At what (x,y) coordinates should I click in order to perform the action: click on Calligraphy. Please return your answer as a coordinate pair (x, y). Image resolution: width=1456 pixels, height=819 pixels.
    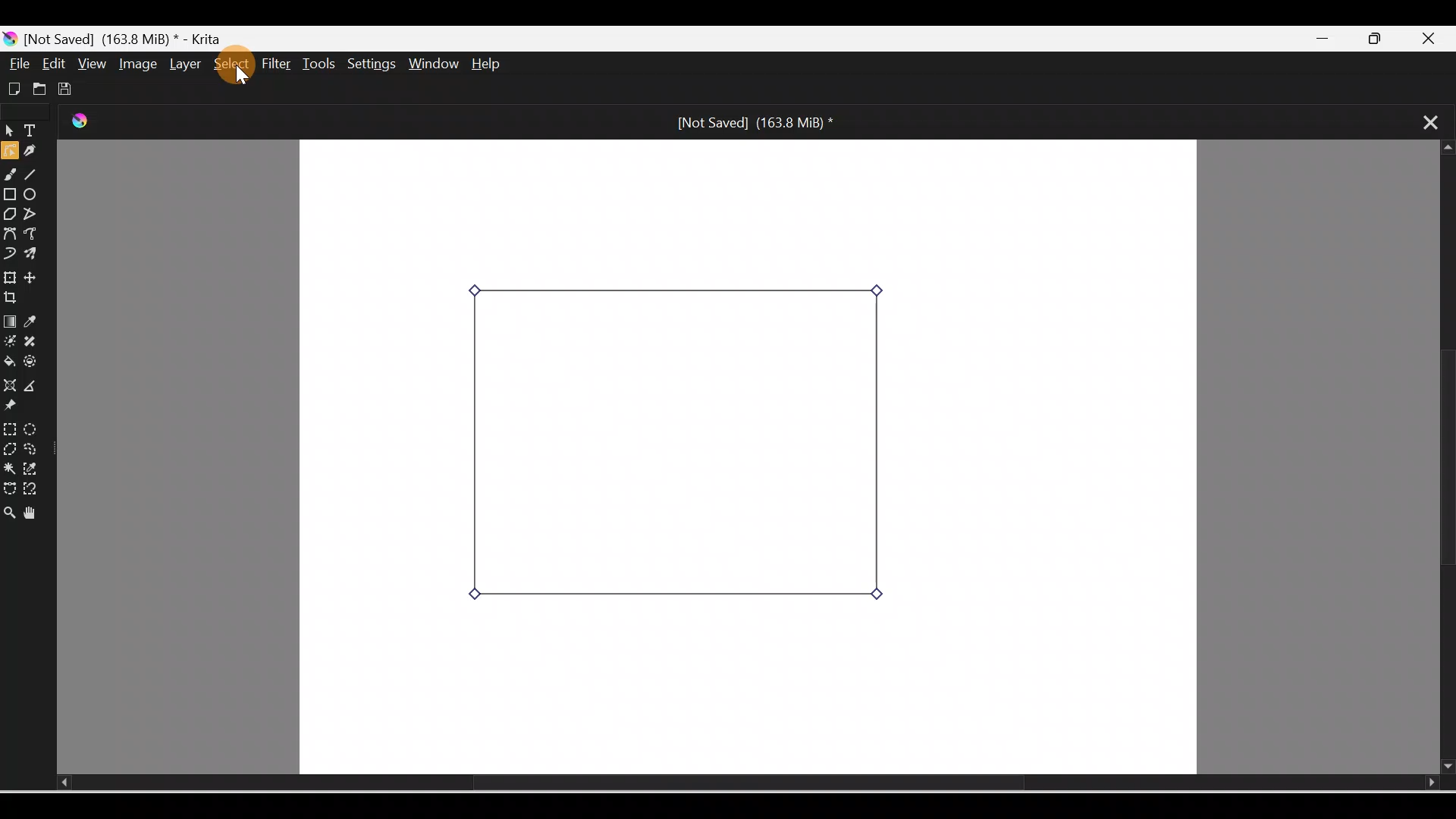
    Looking at the image, I should click on (36, 152).